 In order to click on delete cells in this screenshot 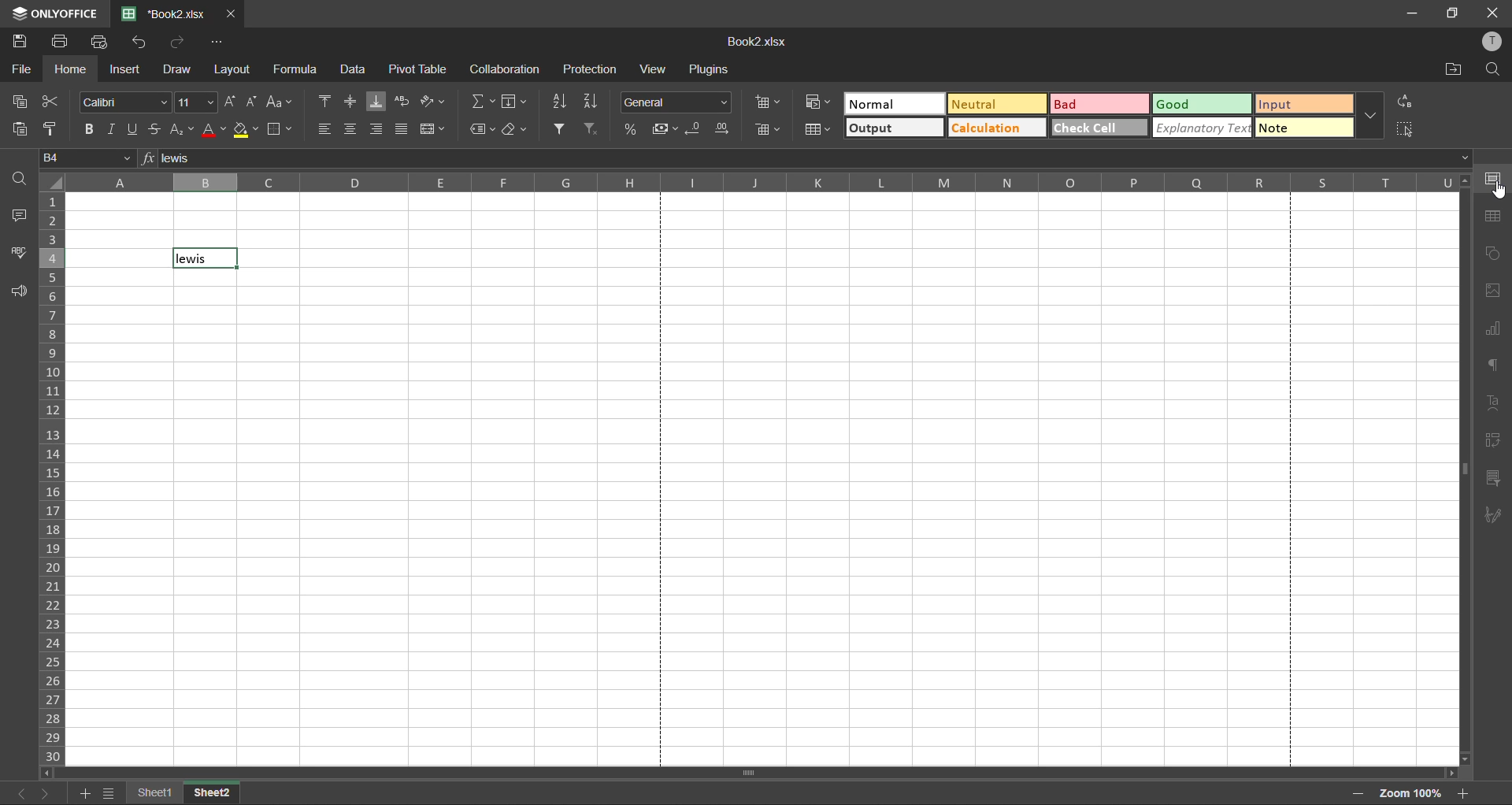, I will do `click(768, 131)`.